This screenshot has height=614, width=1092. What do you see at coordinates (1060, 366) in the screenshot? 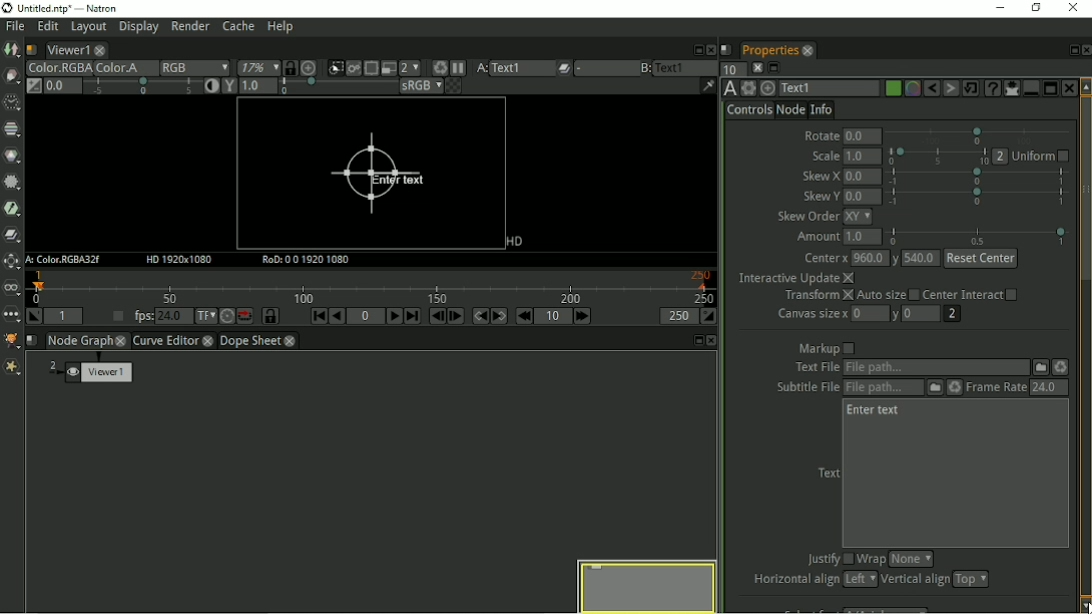
I see `Reload the file` at bounding box center [1060, 366].